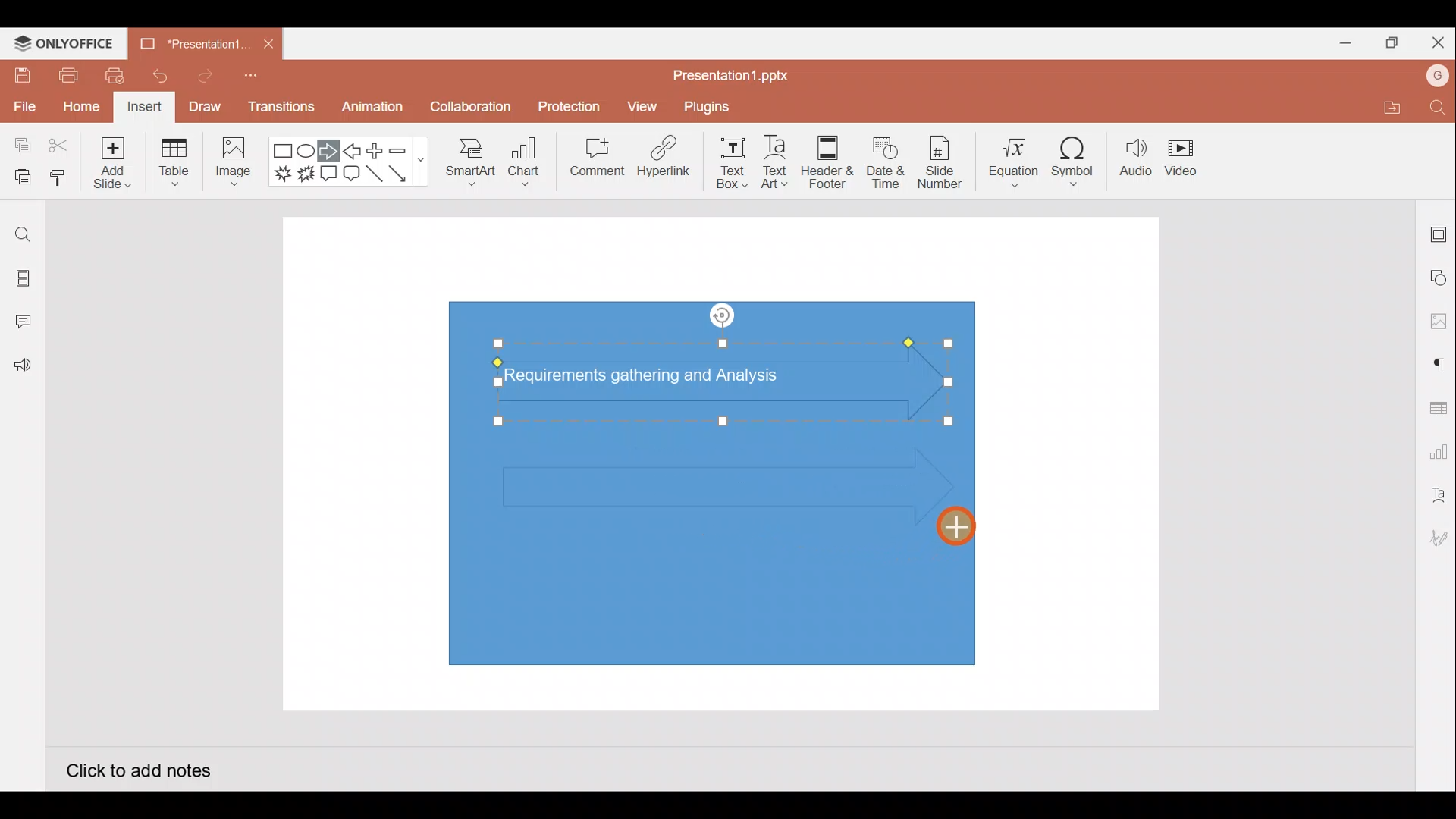 This screenshot has width=1456, height=819. Describe the element at coordinates (199, 75) in the screenshot. I see `Redo` at that location.